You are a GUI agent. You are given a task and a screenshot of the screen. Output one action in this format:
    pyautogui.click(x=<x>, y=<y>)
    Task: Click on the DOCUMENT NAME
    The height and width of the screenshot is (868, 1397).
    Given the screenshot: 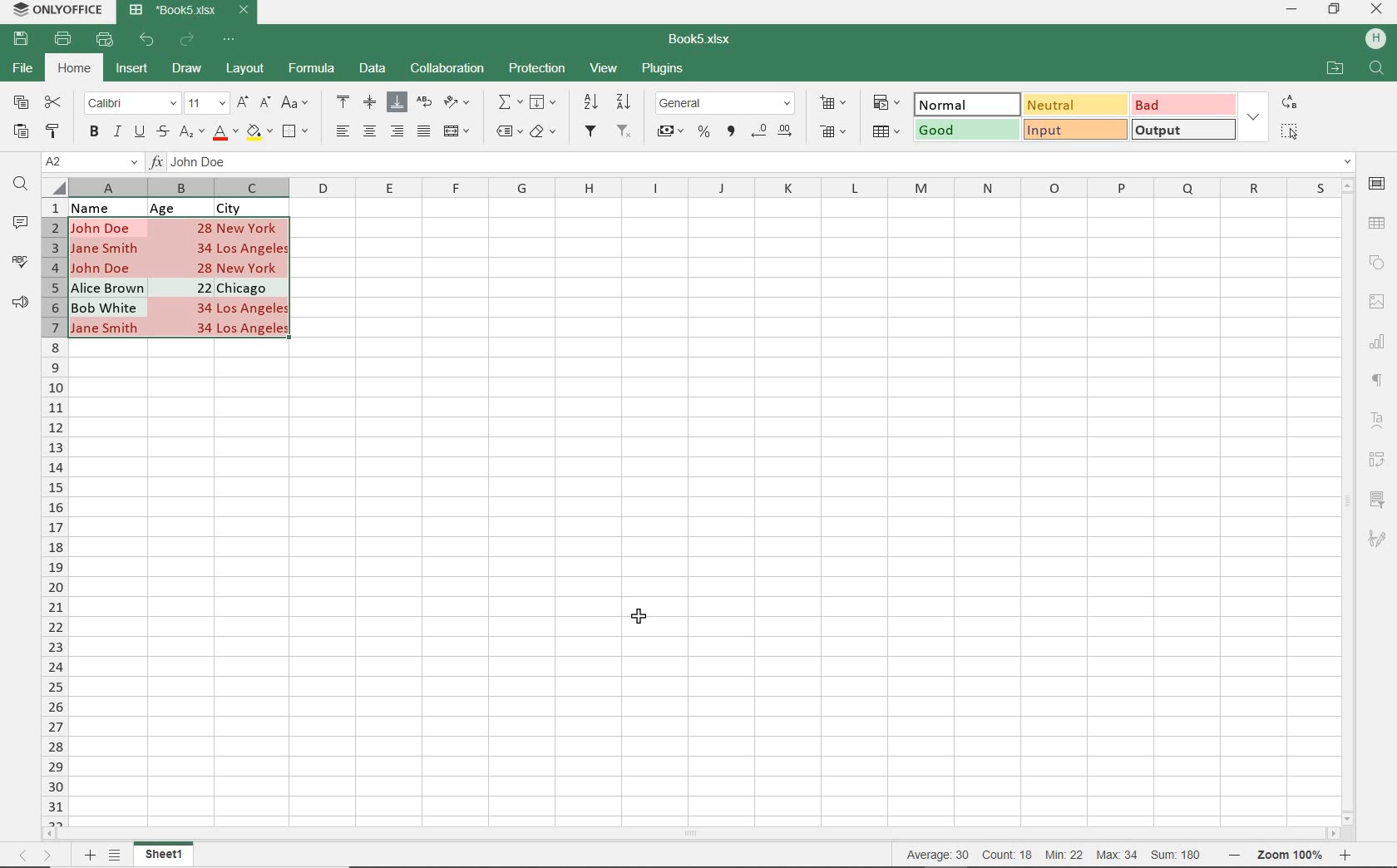 What is the action you would take?
    pyautogui.click(x=190, y=11)
    